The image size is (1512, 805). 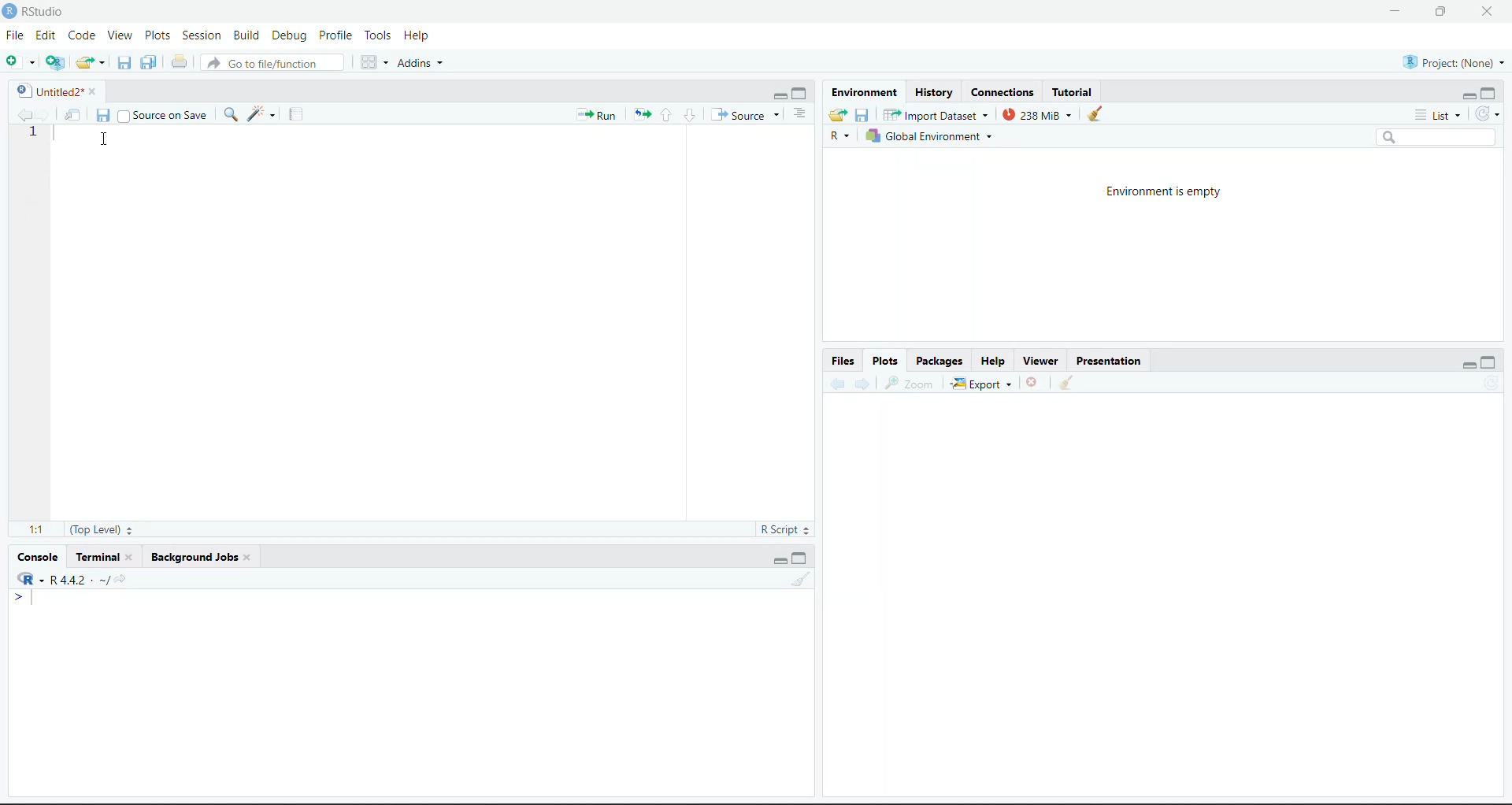 I want to click on maximize, so click(x=1488, y=362).